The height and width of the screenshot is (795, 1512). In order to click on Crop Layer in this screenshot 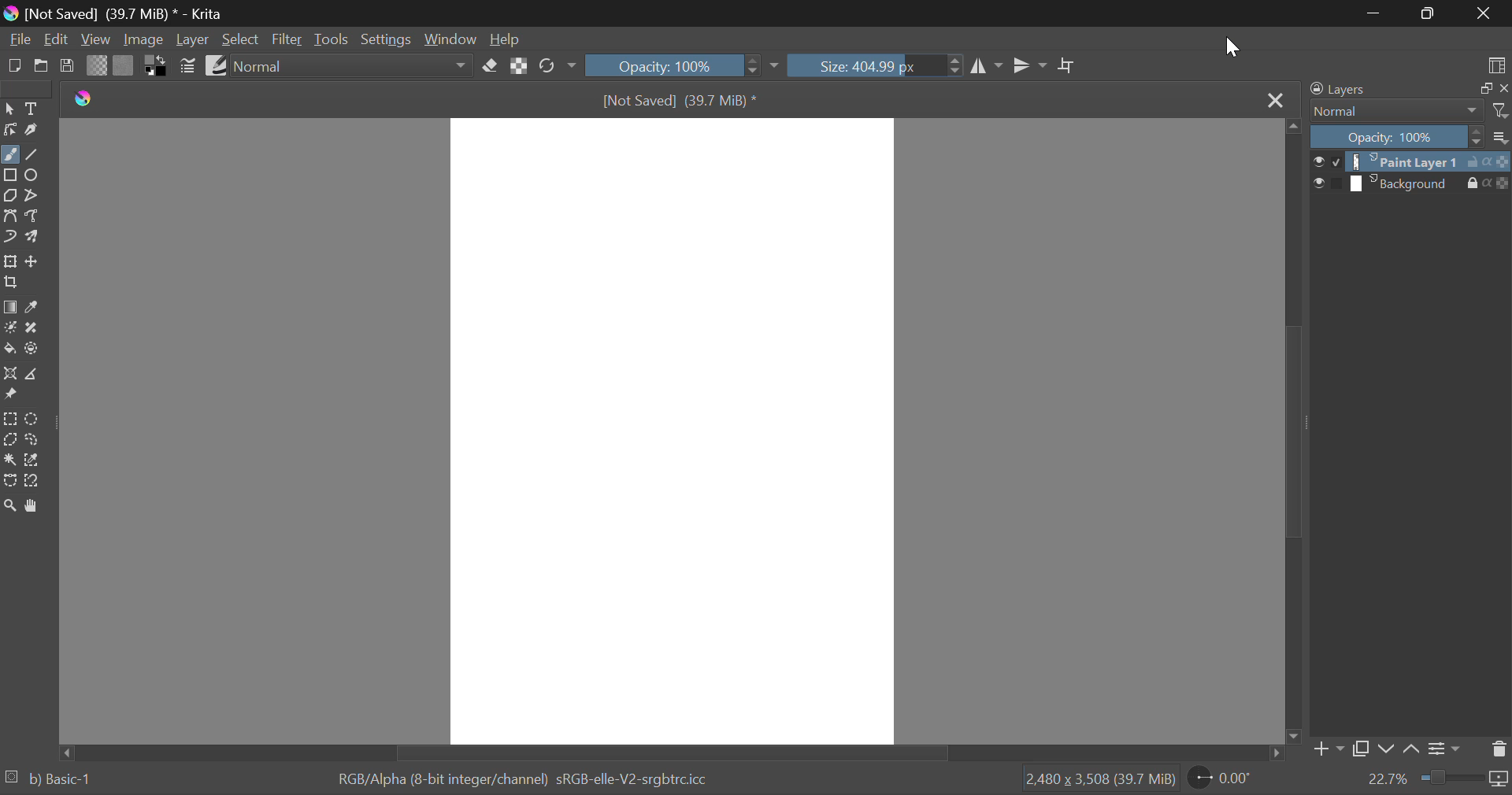, I will do `click(14, 283)`.